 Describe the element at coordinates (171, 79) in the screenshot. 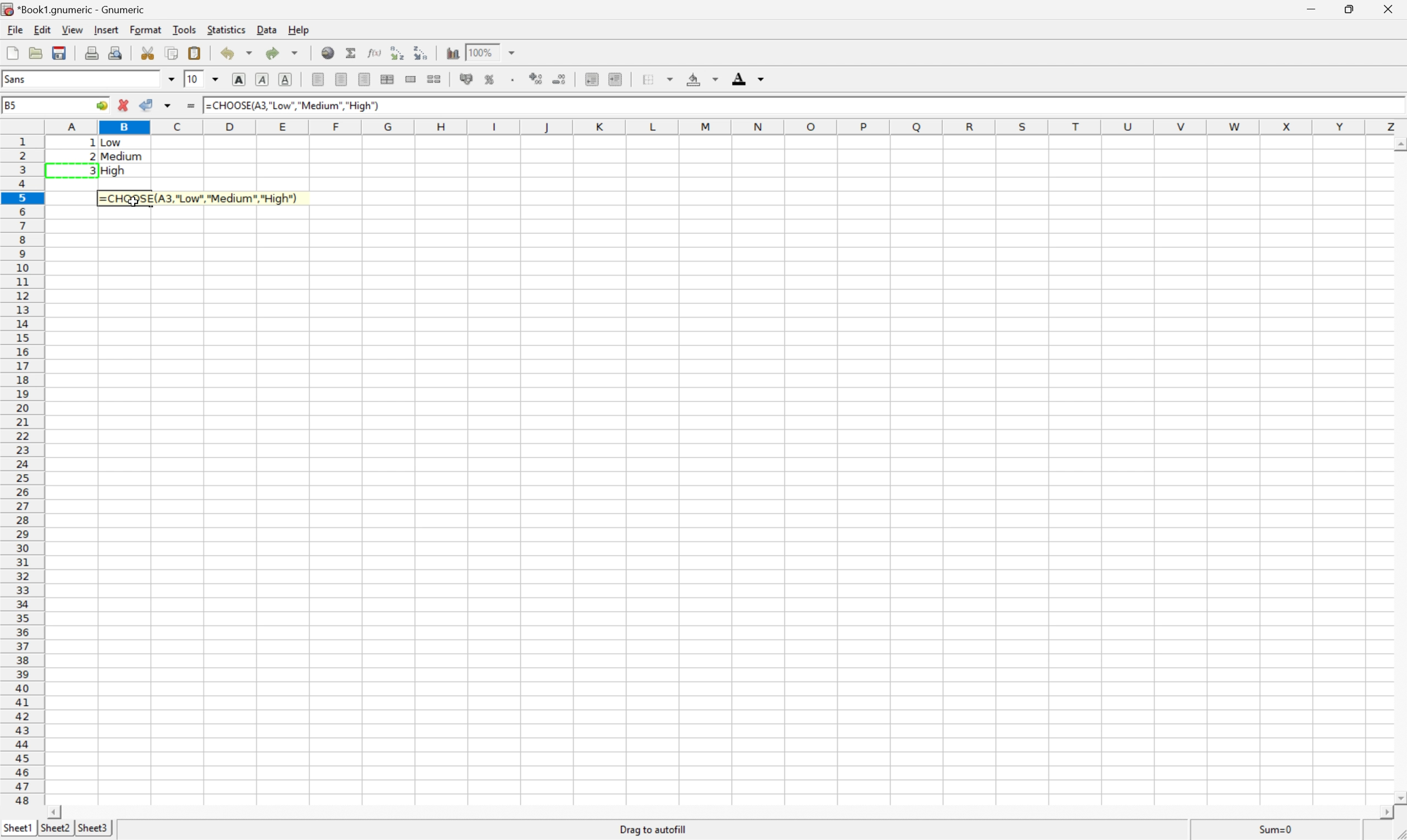

I see `Drop Down` at that location.